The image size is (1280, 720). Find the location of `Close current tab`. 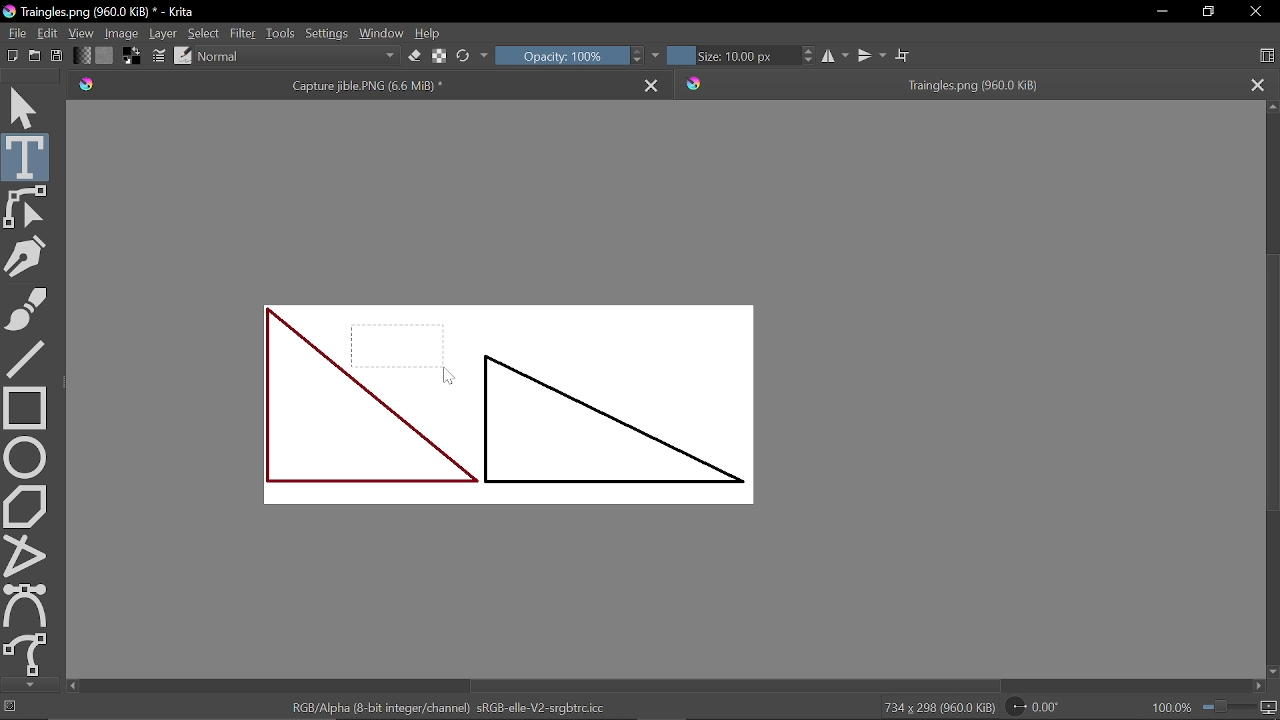

Close current tab is located at coordinates (654, 83).